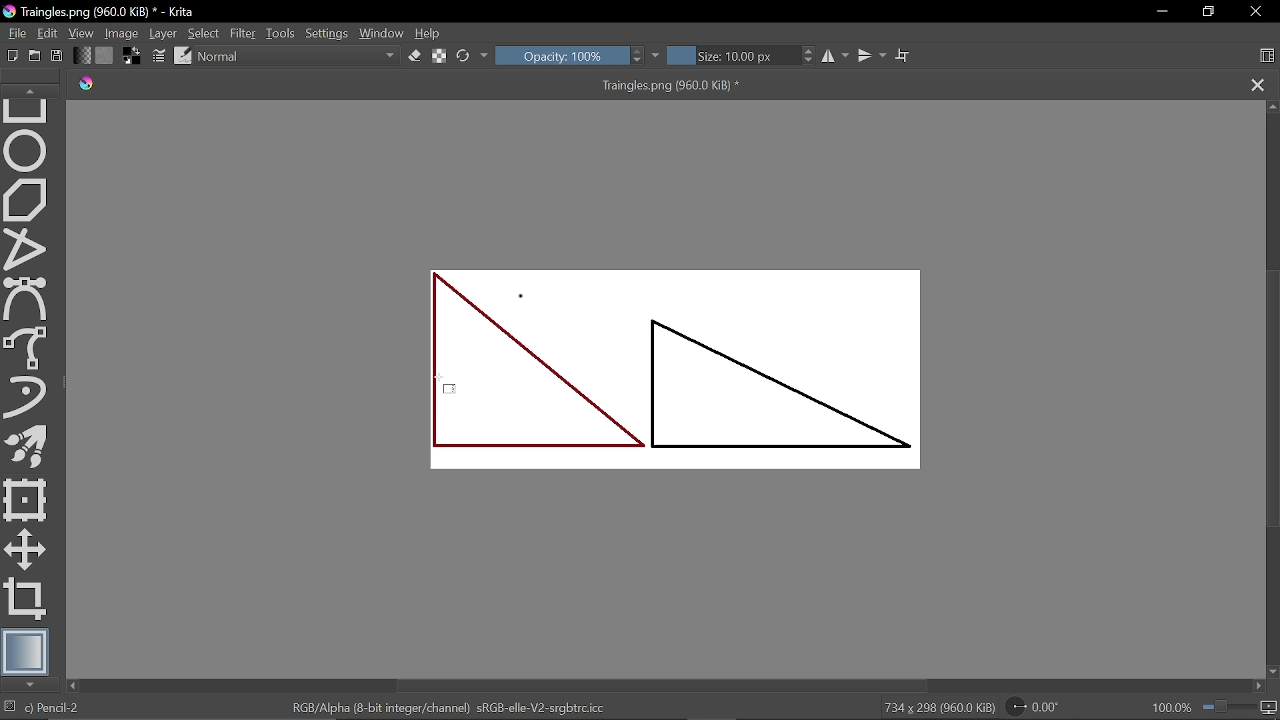  I want to click on Move tool, so click(25, 549).